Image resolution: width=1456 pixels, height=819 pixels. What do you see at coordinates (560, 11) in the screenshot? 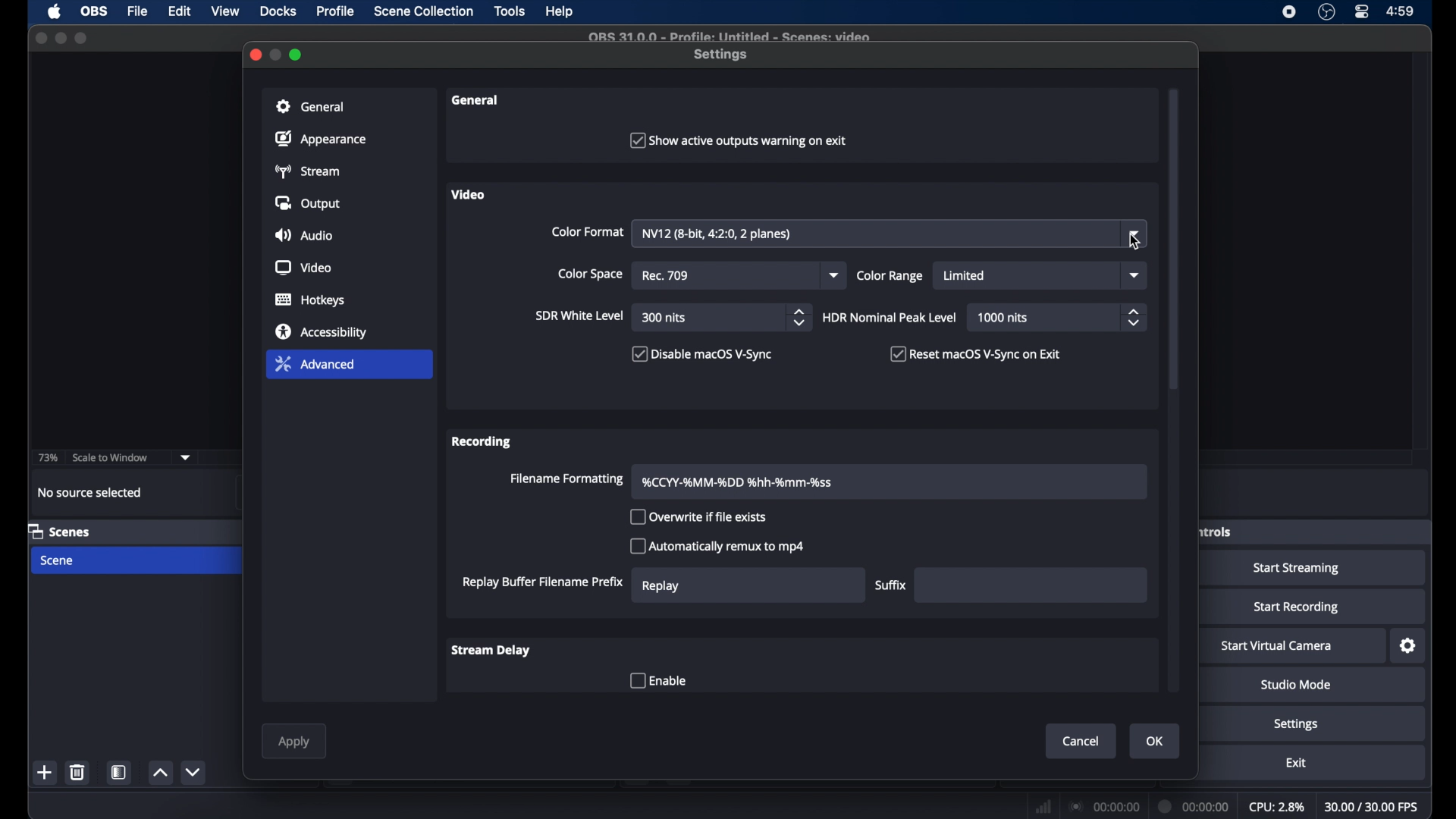
I see `help` at bounding box center [560, 11].